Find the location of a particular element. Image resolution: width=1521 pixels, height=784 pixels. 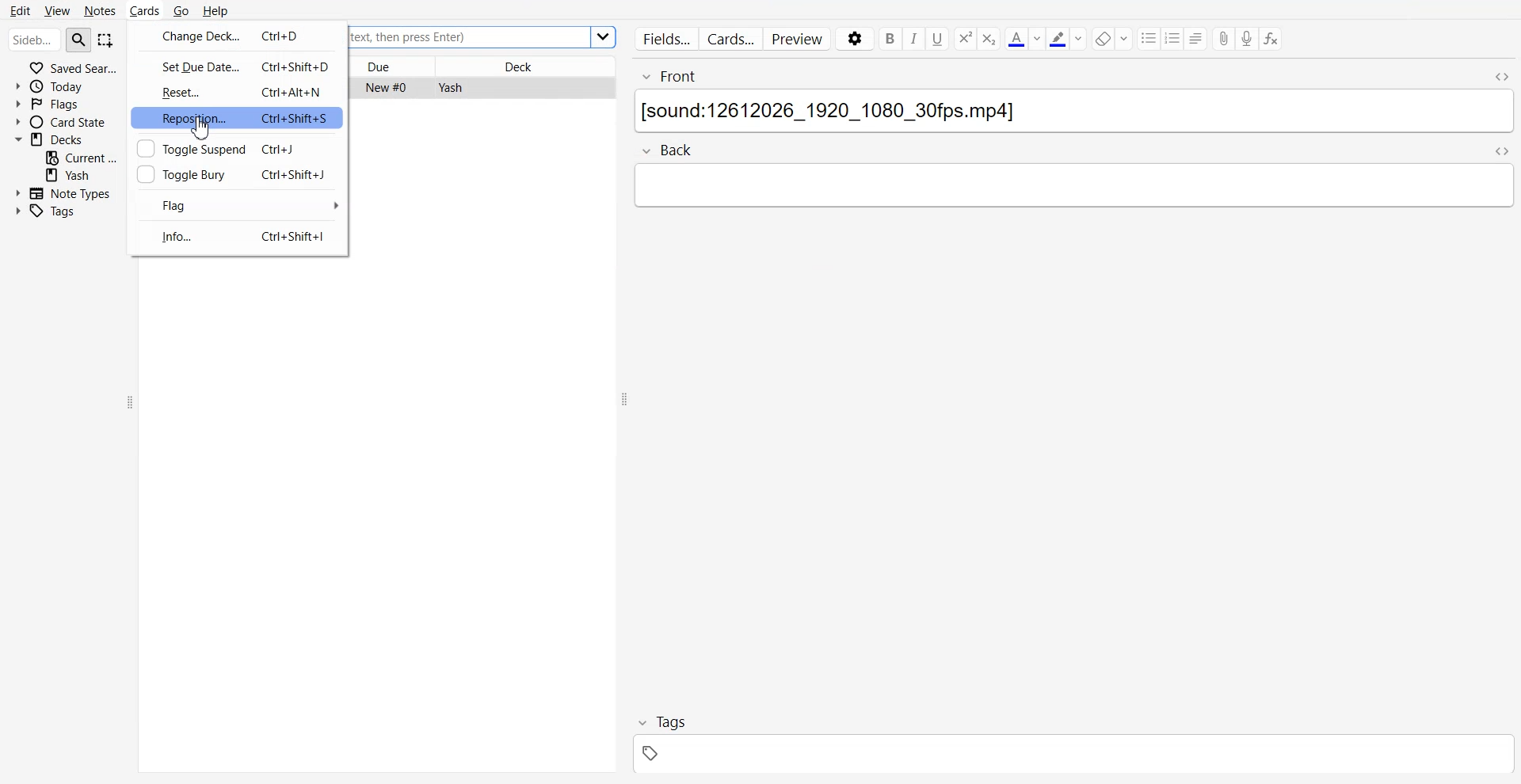

Toggle Bury is located at coordinates (179, 174).